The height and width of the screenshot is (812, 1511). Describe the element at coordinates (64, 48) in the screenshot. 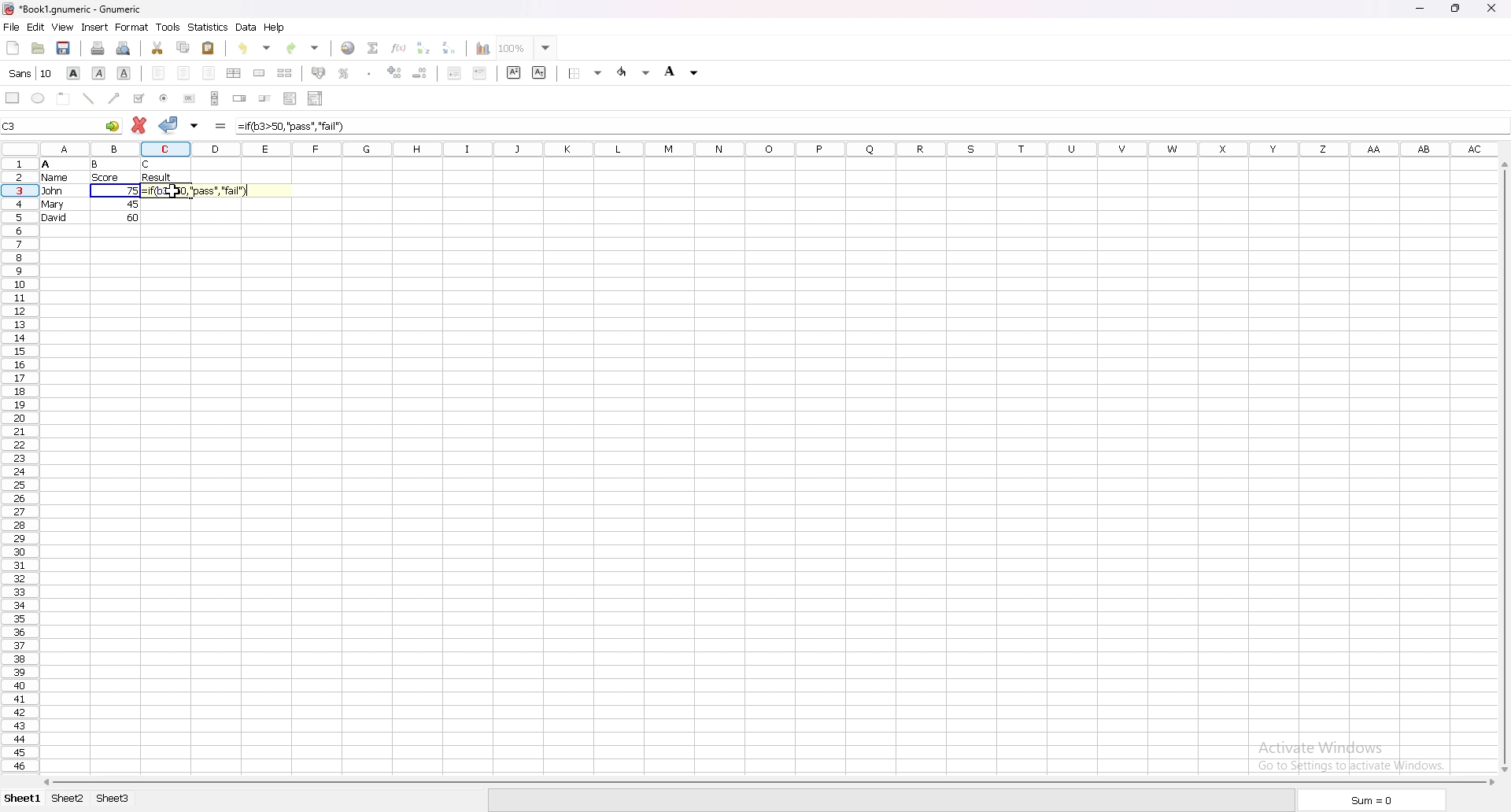

I see `save` at that location.